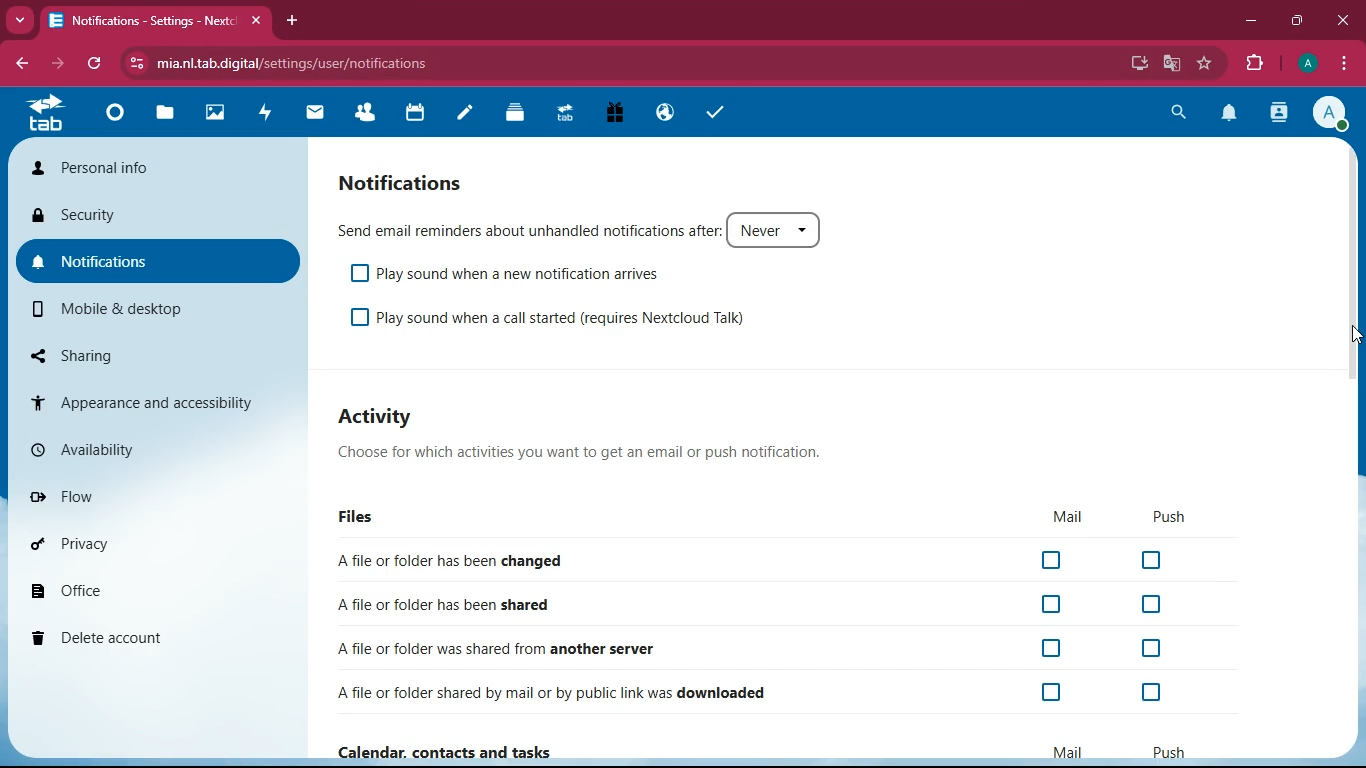  Describe the element at coordinates (219, 115) in the screenshot. I see `images` at that location.